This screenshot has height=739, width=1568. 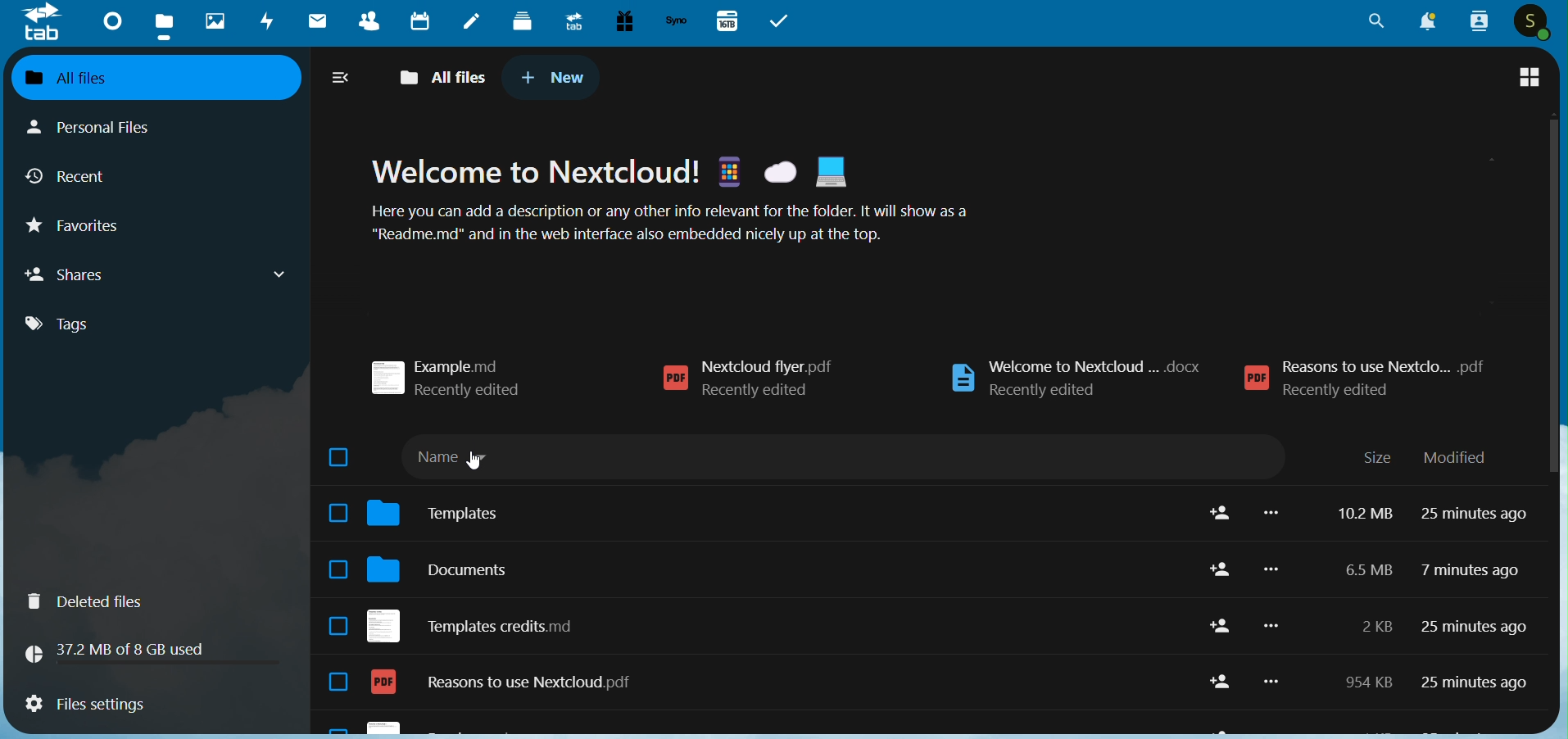 I want to click on tab, so click(x=41, y=23).